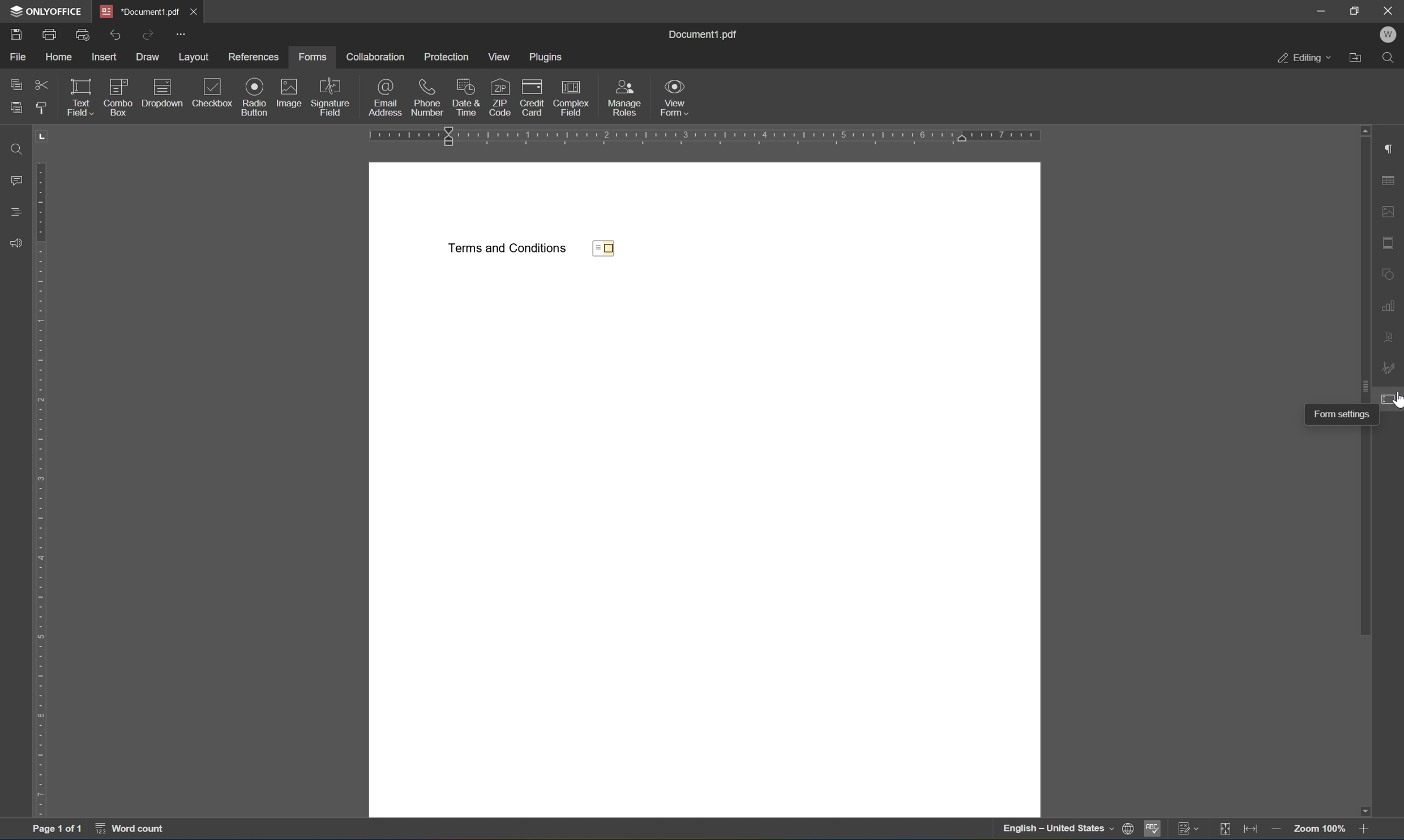 This screenshot has width=1404, height=840. I want to click on insert, so click(105, 58).